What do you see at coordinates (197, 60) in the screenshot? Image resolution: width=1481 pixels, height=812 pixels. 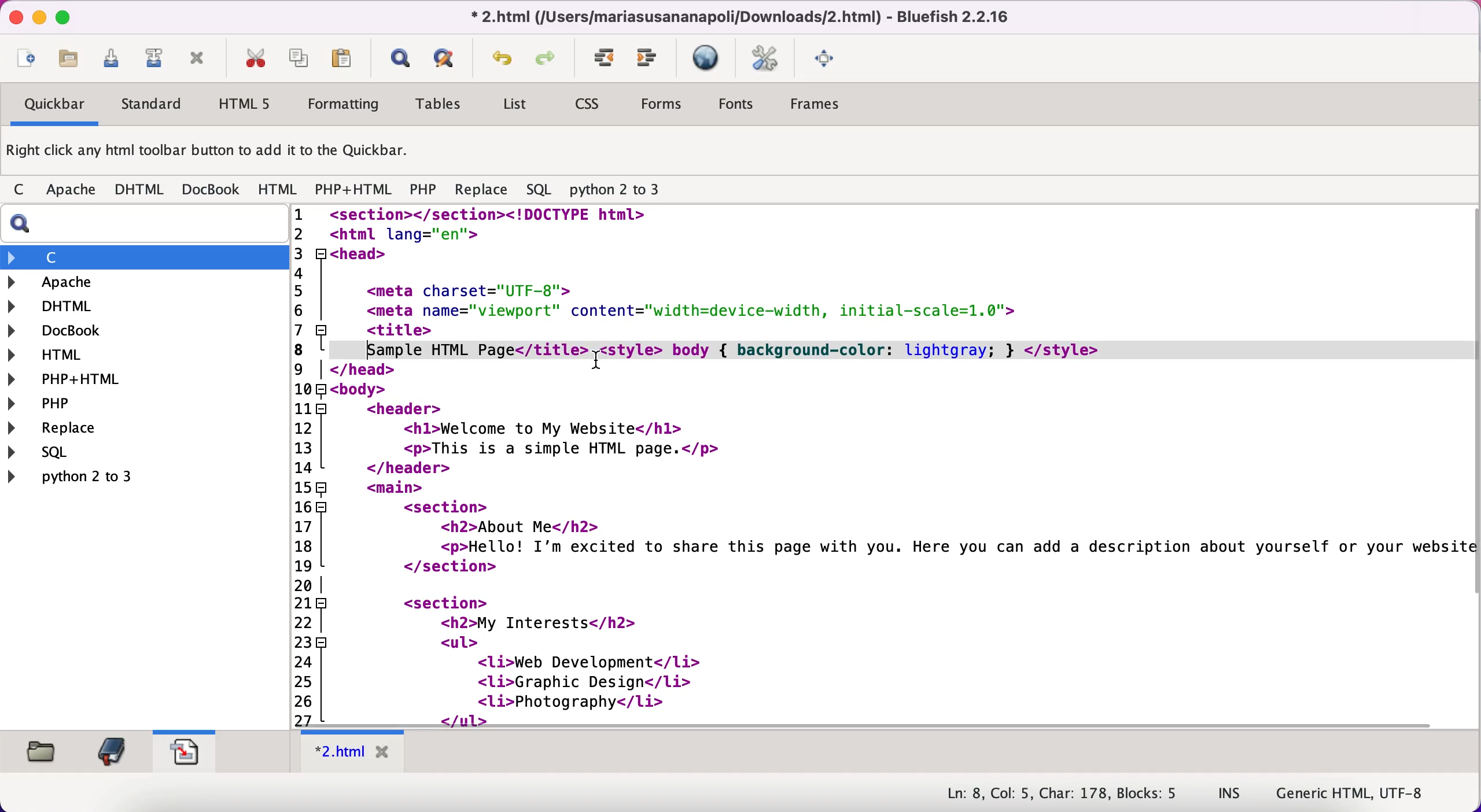 I see `close current file` at bounding box center [197, 60].